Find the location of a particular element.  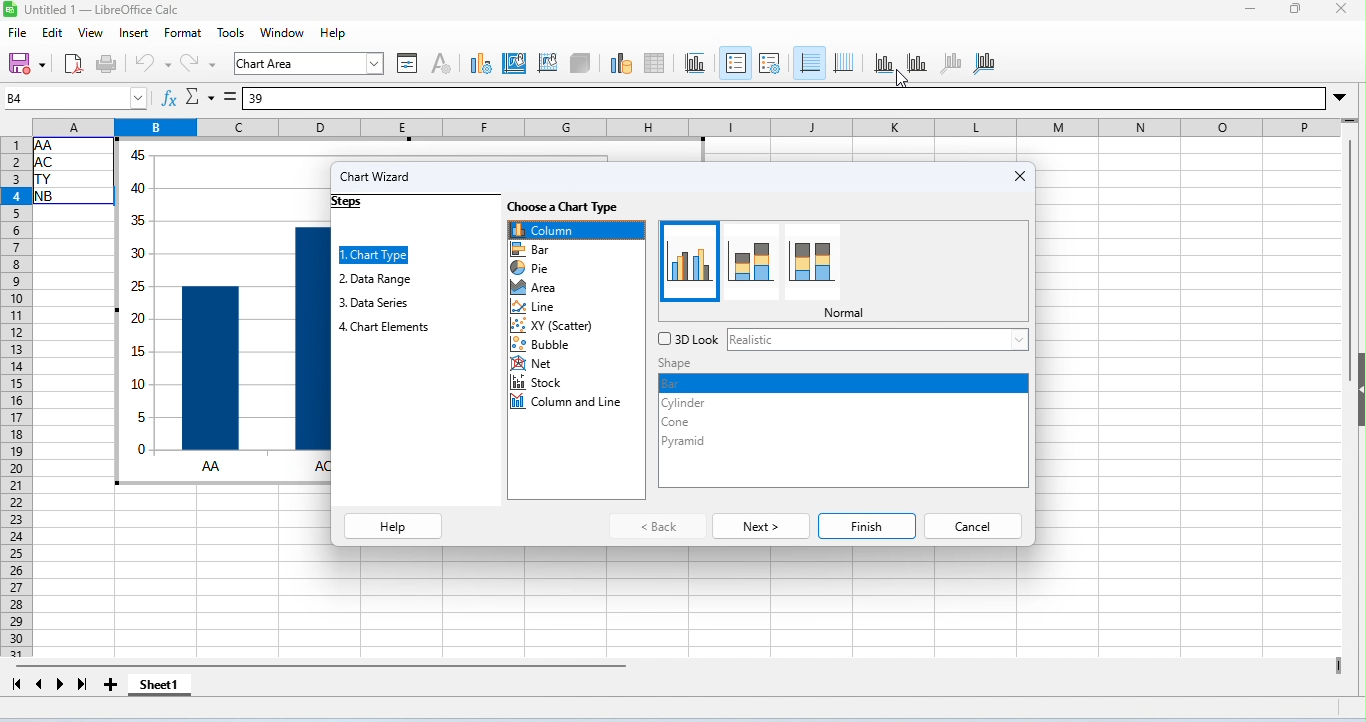

AA is located at coordinates (212, 465).